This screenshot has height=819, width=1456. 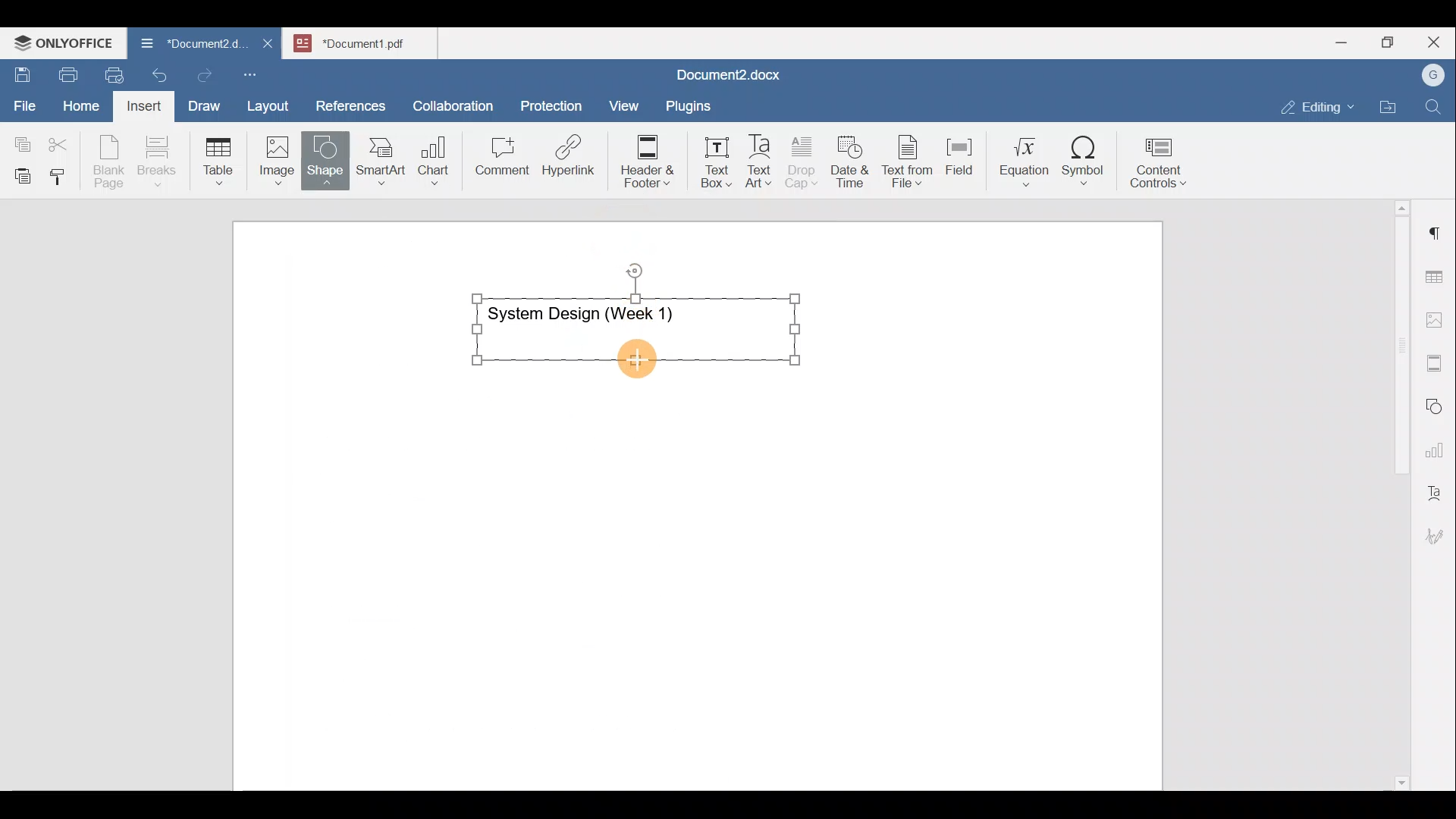 What do you see at coordinates (350, 104) in the screenshot?
I see `References` at bounding box center [350, 104].